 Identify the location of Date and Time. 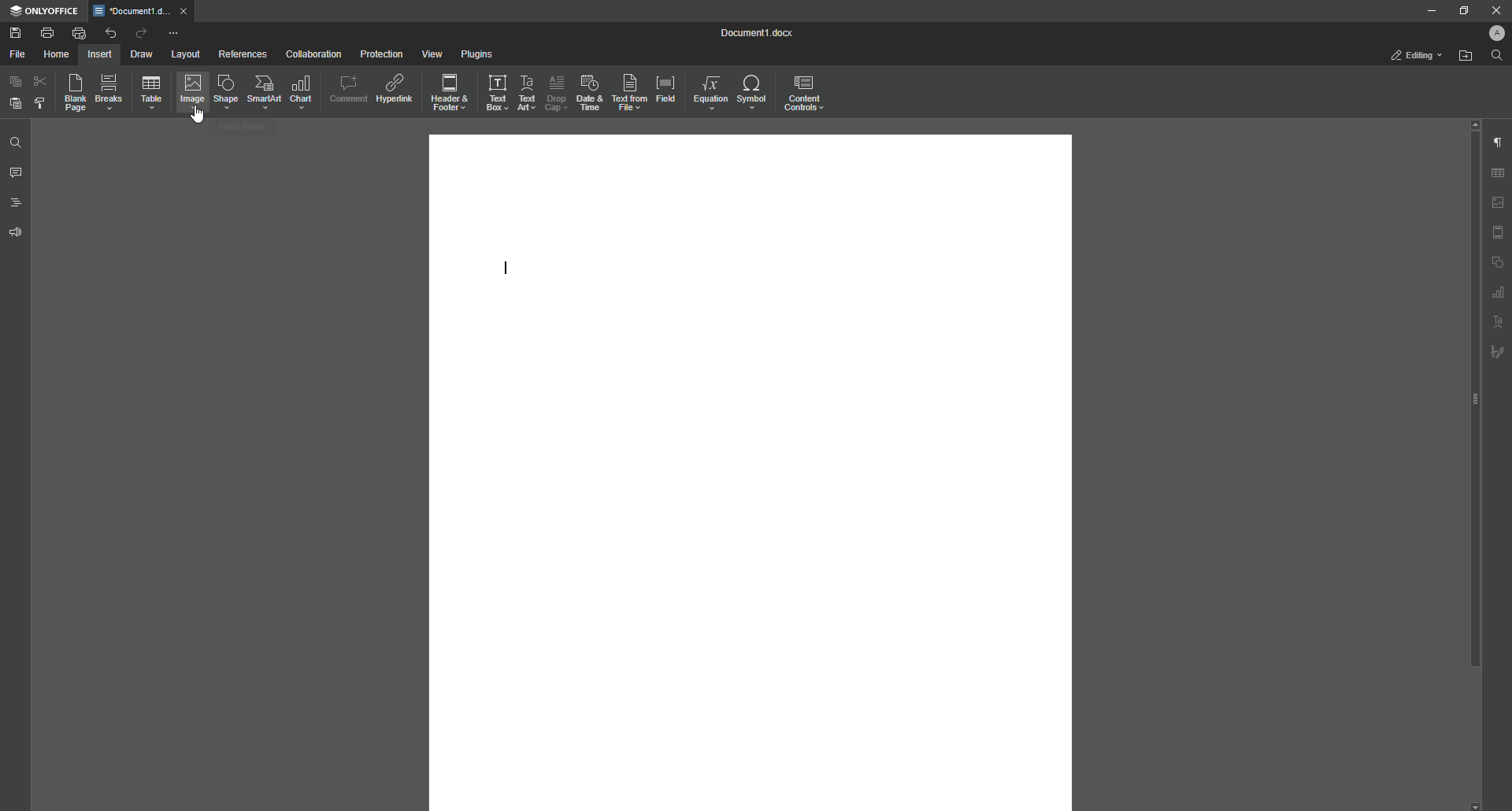
(588, 93).